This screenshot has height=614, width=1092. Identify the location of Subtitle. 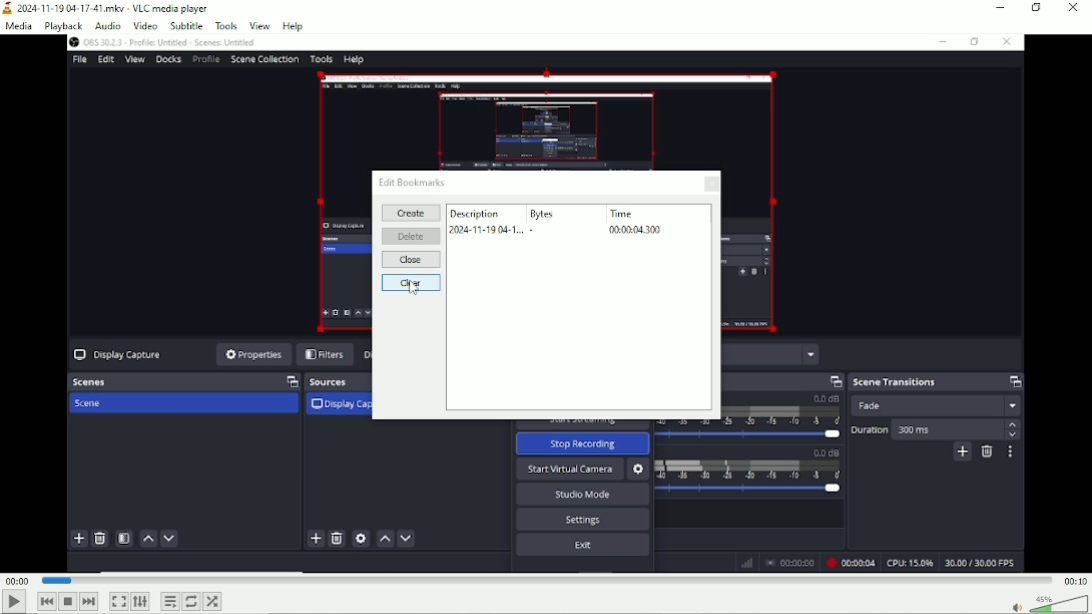
(187, 25).